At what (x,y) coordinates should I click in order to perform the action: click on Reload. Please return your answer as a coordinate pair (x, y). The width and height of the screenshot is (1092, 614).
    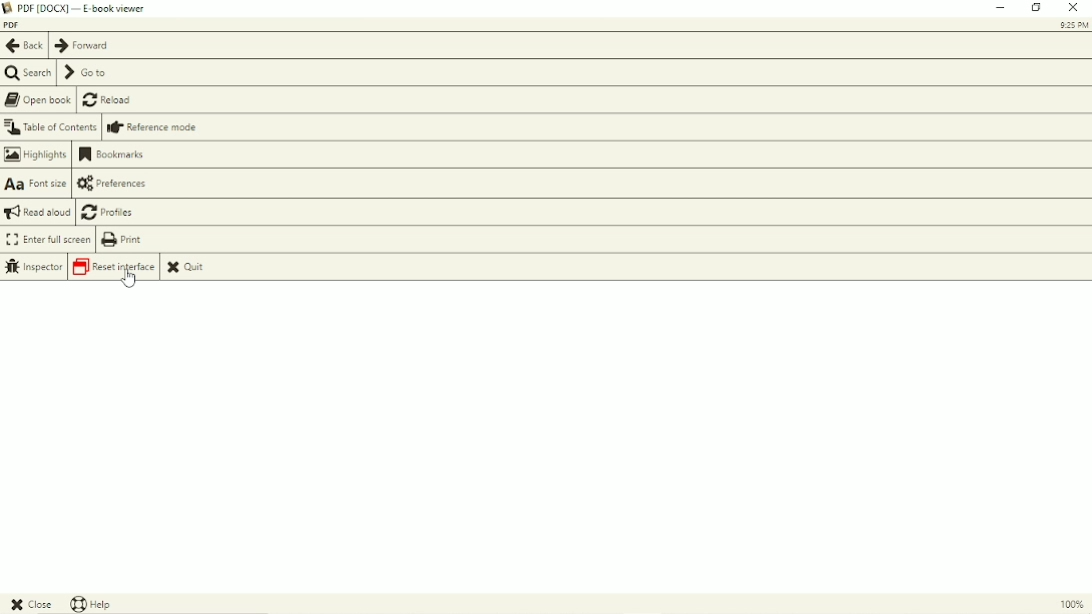
    Looking at the image, I should click on (109, 101).